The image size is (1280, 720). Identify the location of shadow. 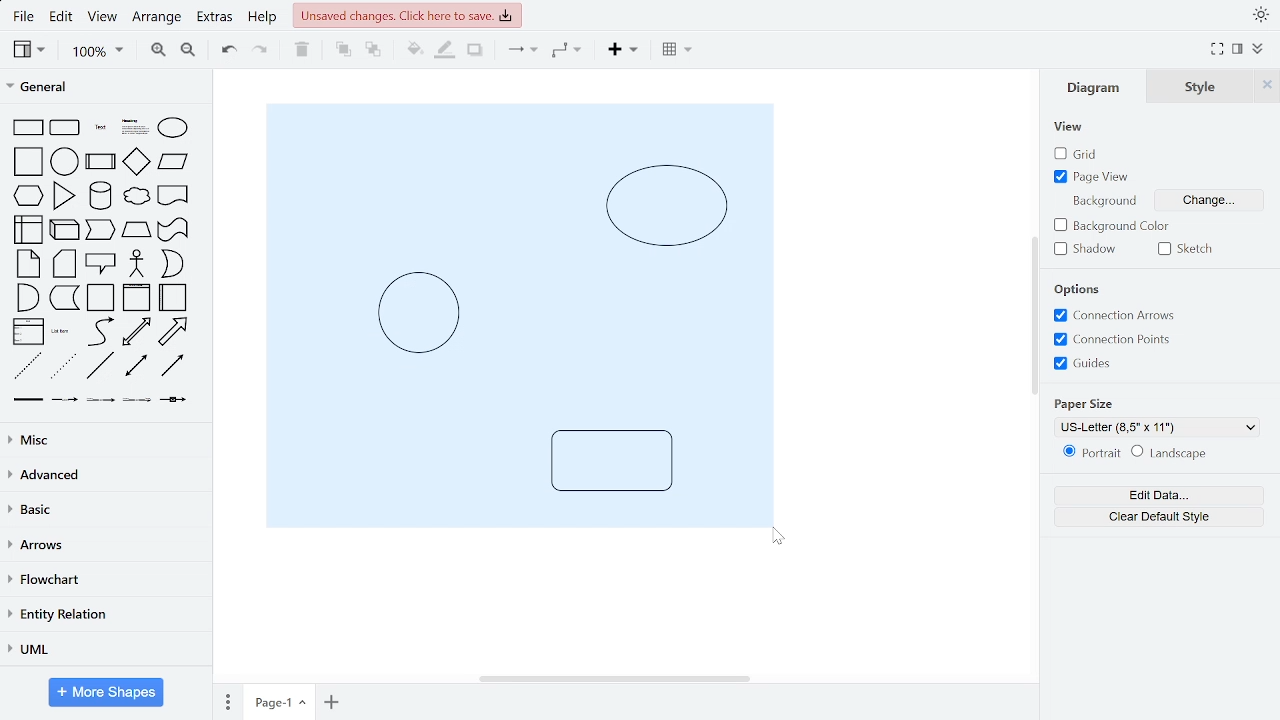
(1088, 250).